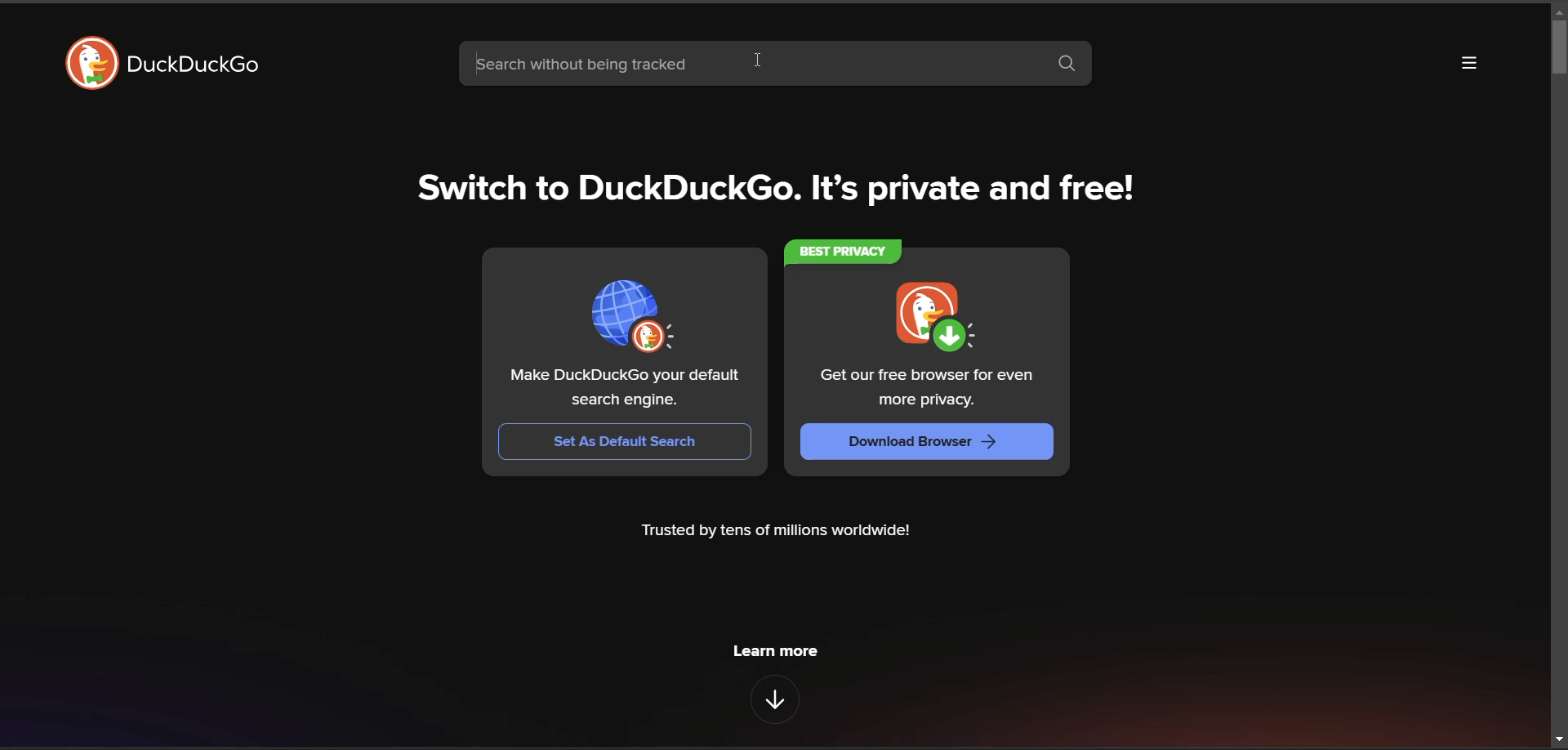  I want to click on DuckDuckGo Logo, so click(90, 64).